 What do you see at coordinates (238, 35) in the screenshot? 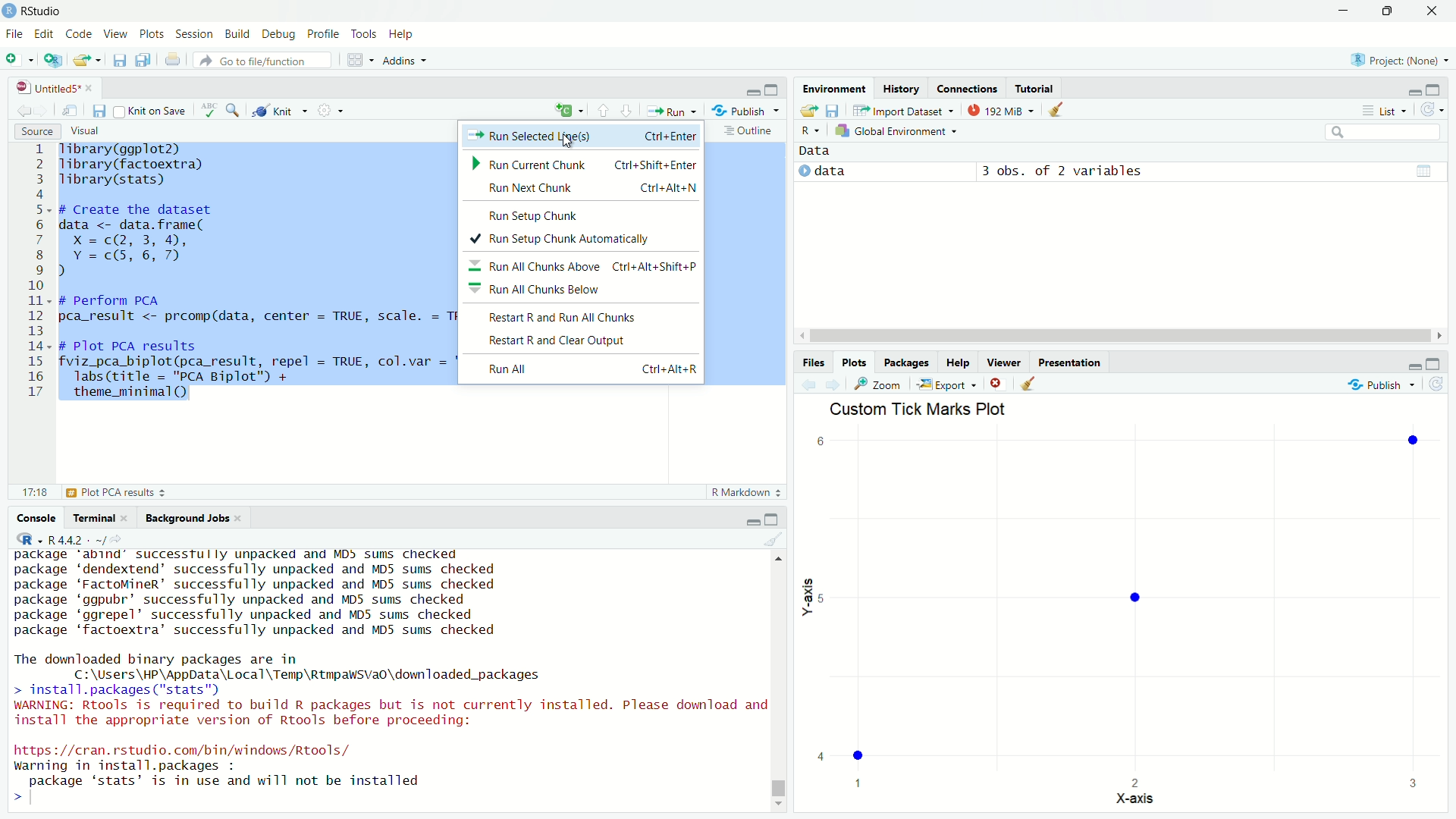
I see `Build` at bounding box center [238, 35].